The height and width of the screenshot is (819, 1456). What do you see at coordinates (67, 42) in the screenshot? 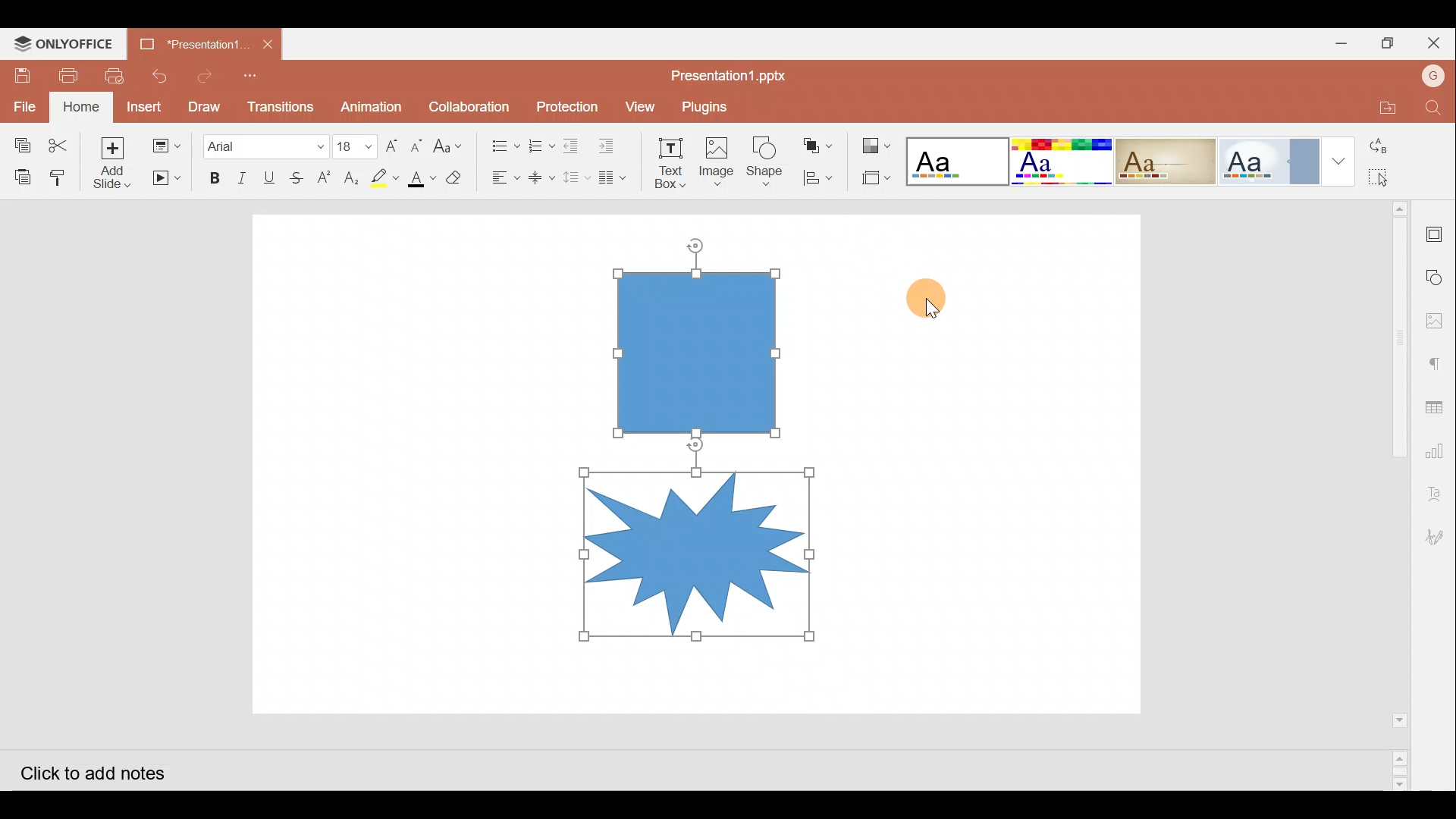
I see `ONLYOFFICE` at bounding box center [67, 42].